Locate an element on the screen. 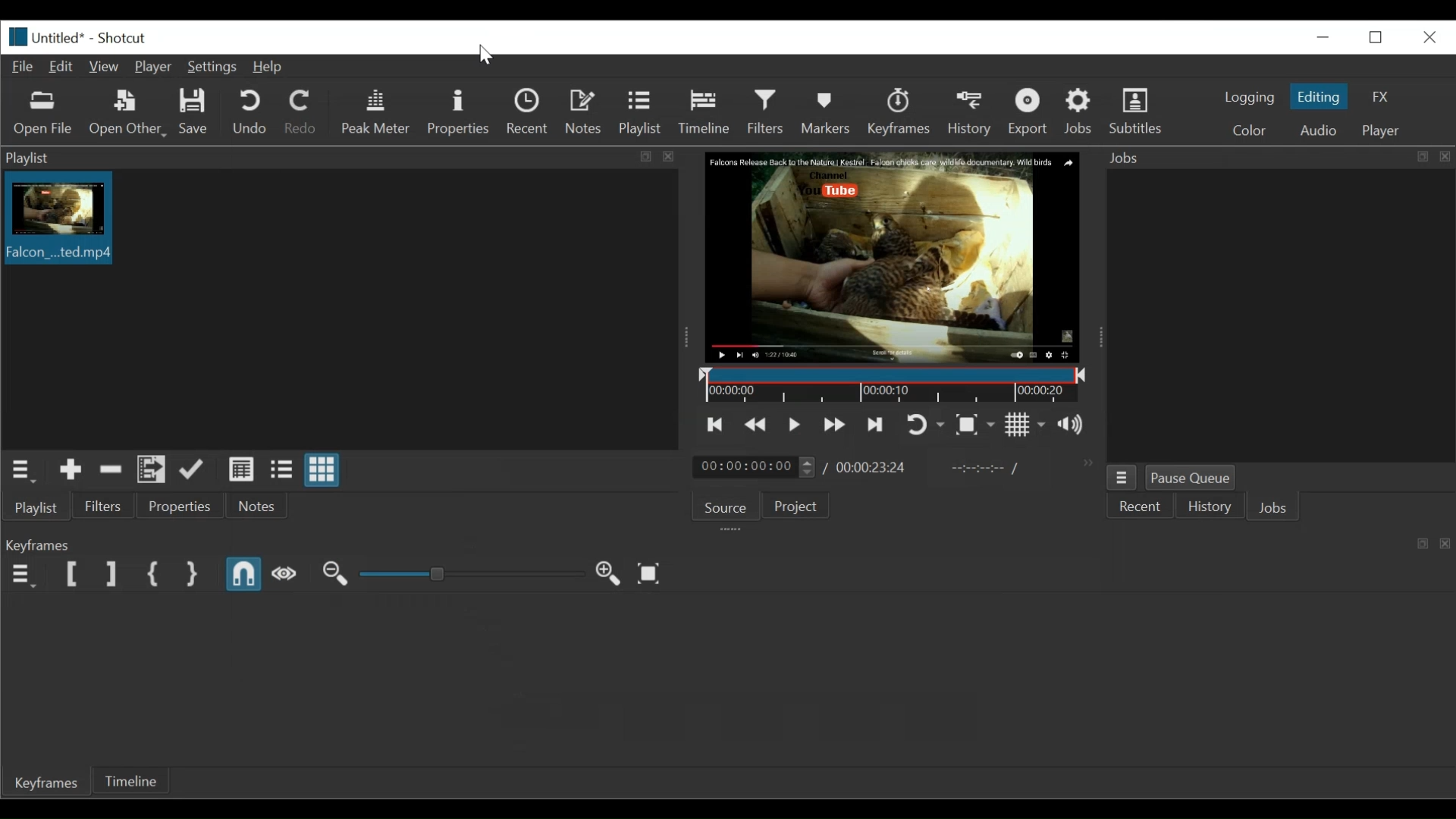  Properties is located at coordinates (177, 506).